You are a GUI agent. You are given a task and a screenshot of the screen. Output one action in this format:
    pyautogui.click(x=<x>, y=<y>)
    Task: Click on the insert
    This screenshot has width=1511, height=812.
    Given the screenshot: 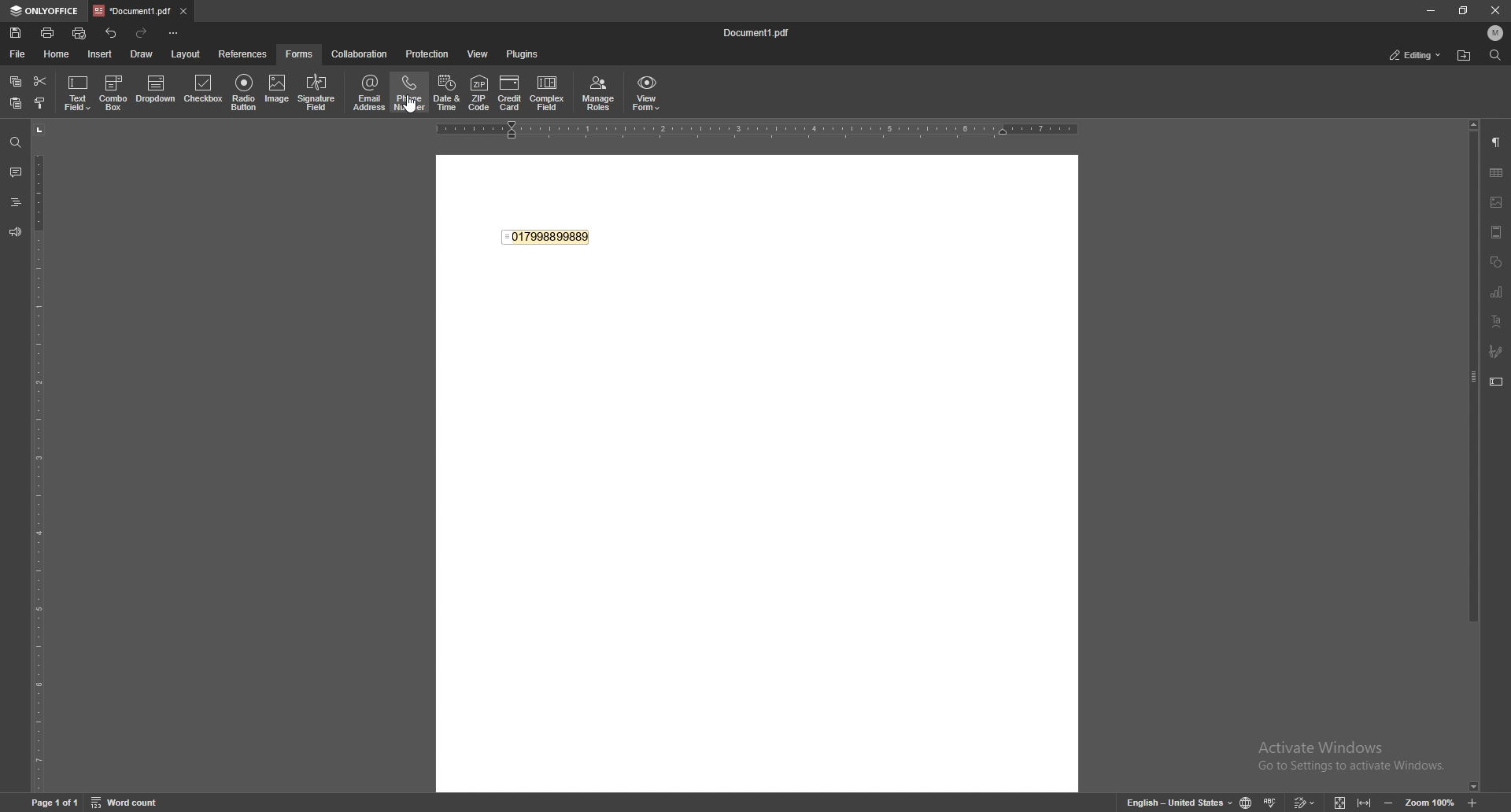 What is the action you would take?
    pyautogui.click(x=101, y=54)
    